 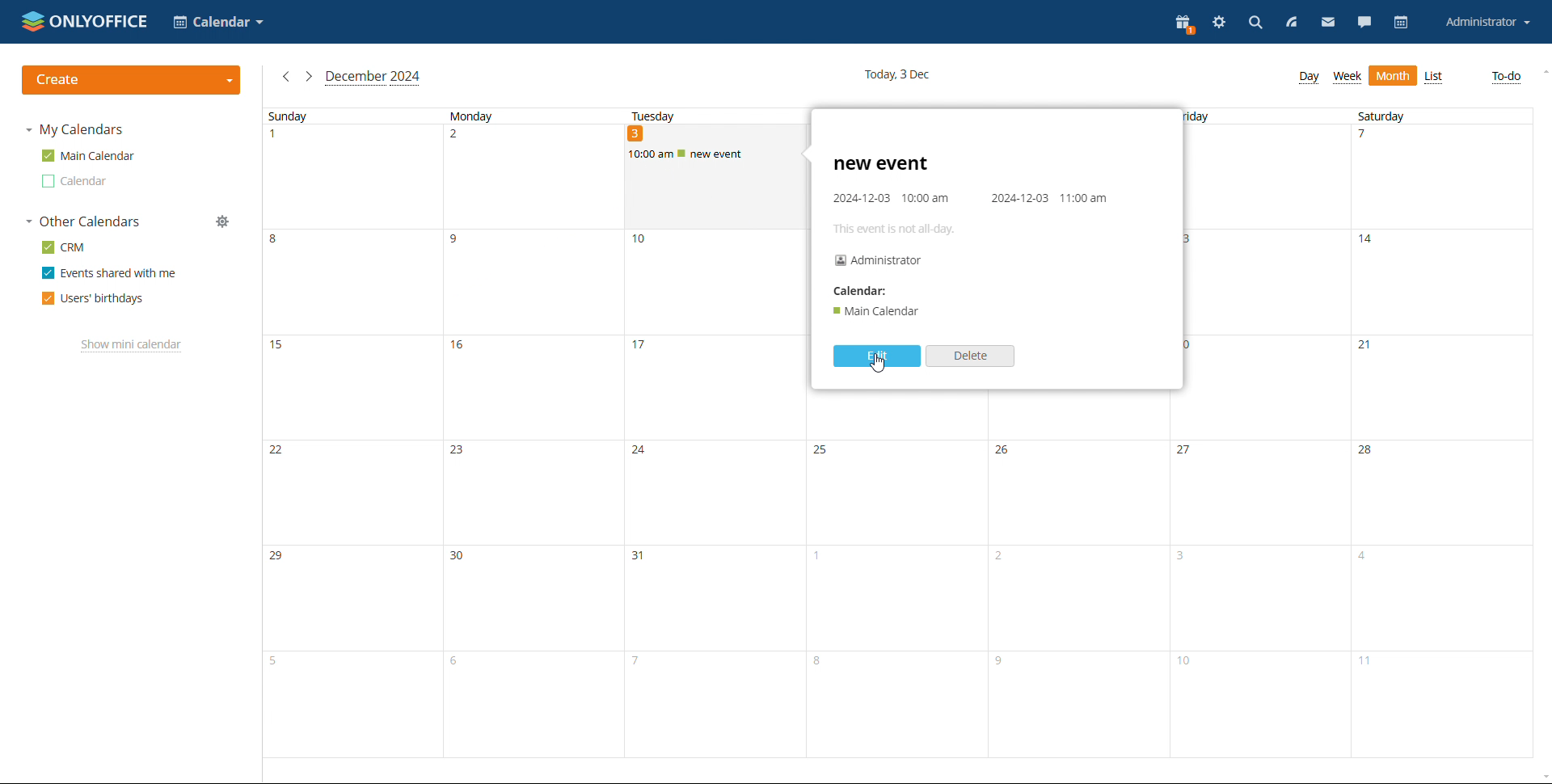 What do you see at coordinates (712, 283) in the screenshot?
I see `10` at bounding box center [712, 283].